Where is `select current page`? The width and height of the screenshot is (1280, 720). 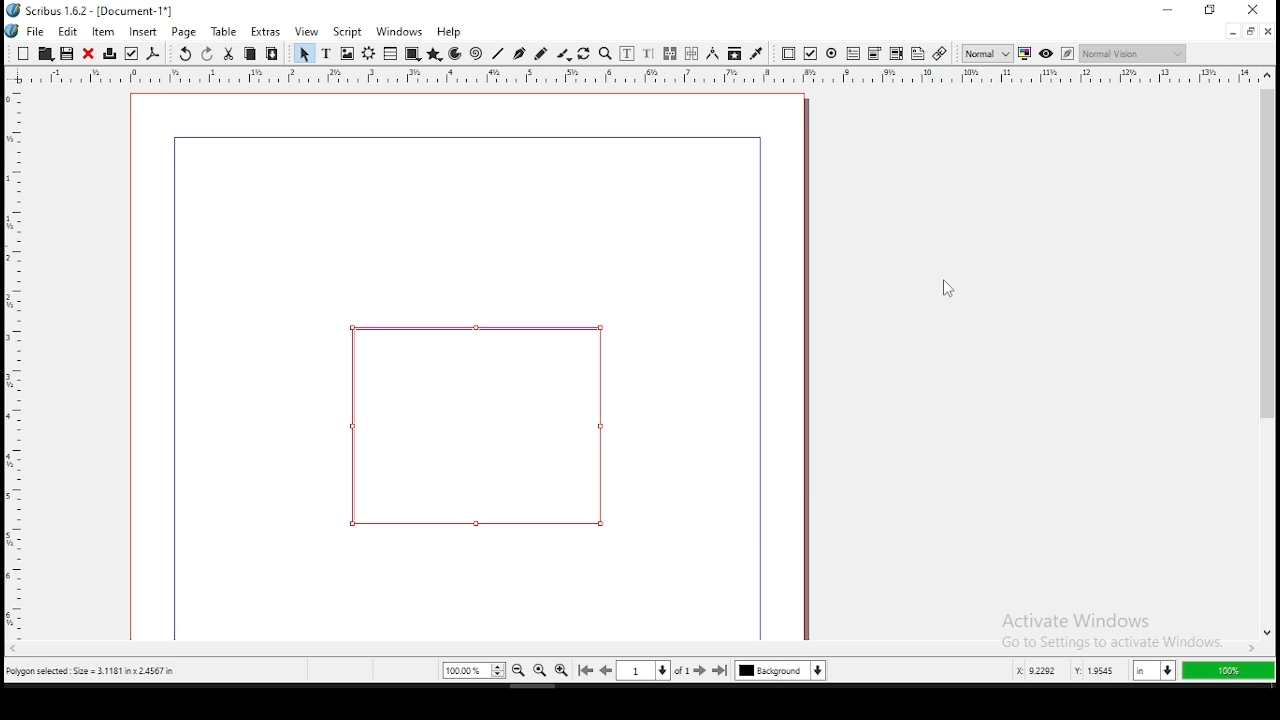 select current page is located at coordinates (644, 669).